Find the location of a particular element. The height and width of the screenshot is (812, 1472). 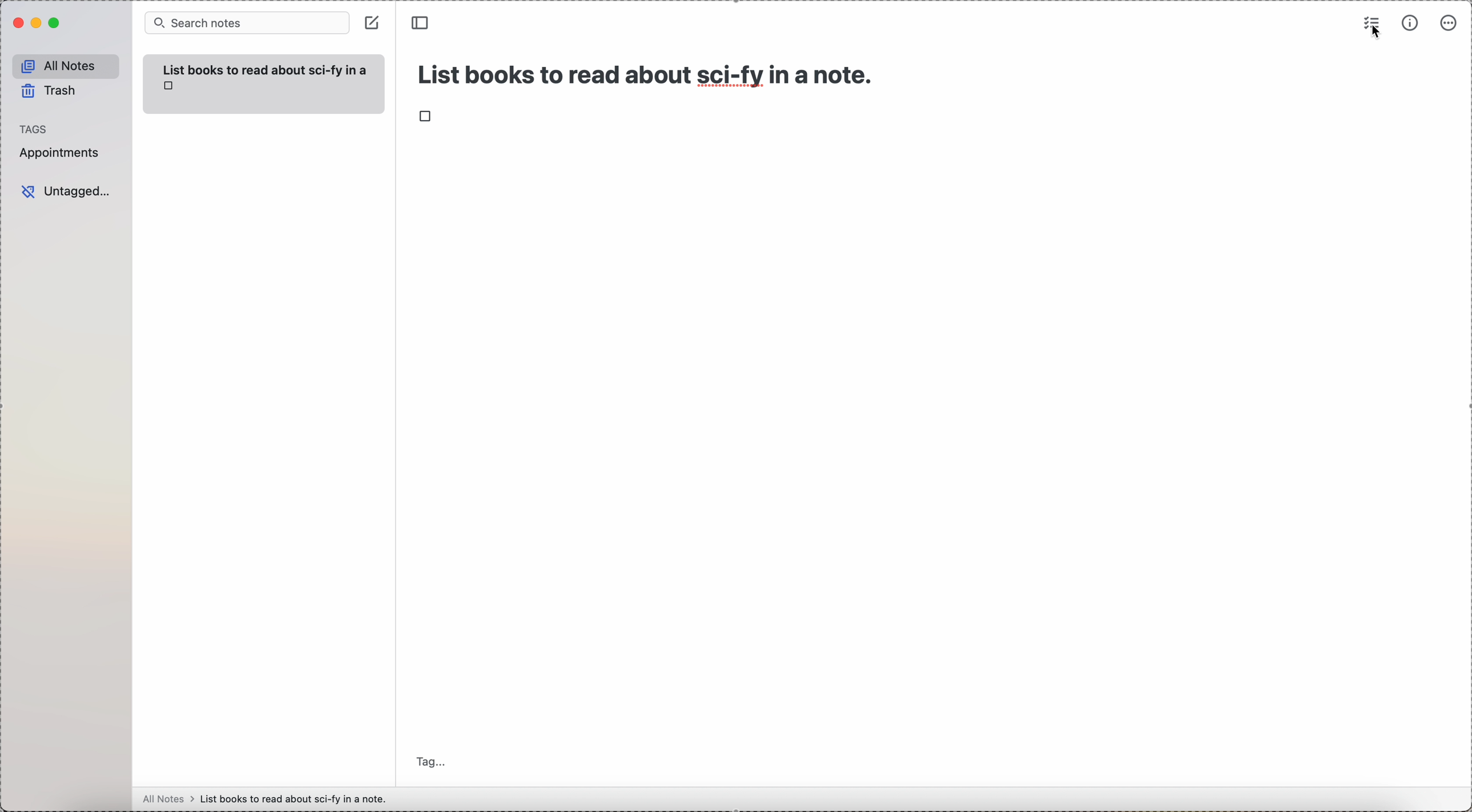

checkbox is located at coordinates (170, 87).